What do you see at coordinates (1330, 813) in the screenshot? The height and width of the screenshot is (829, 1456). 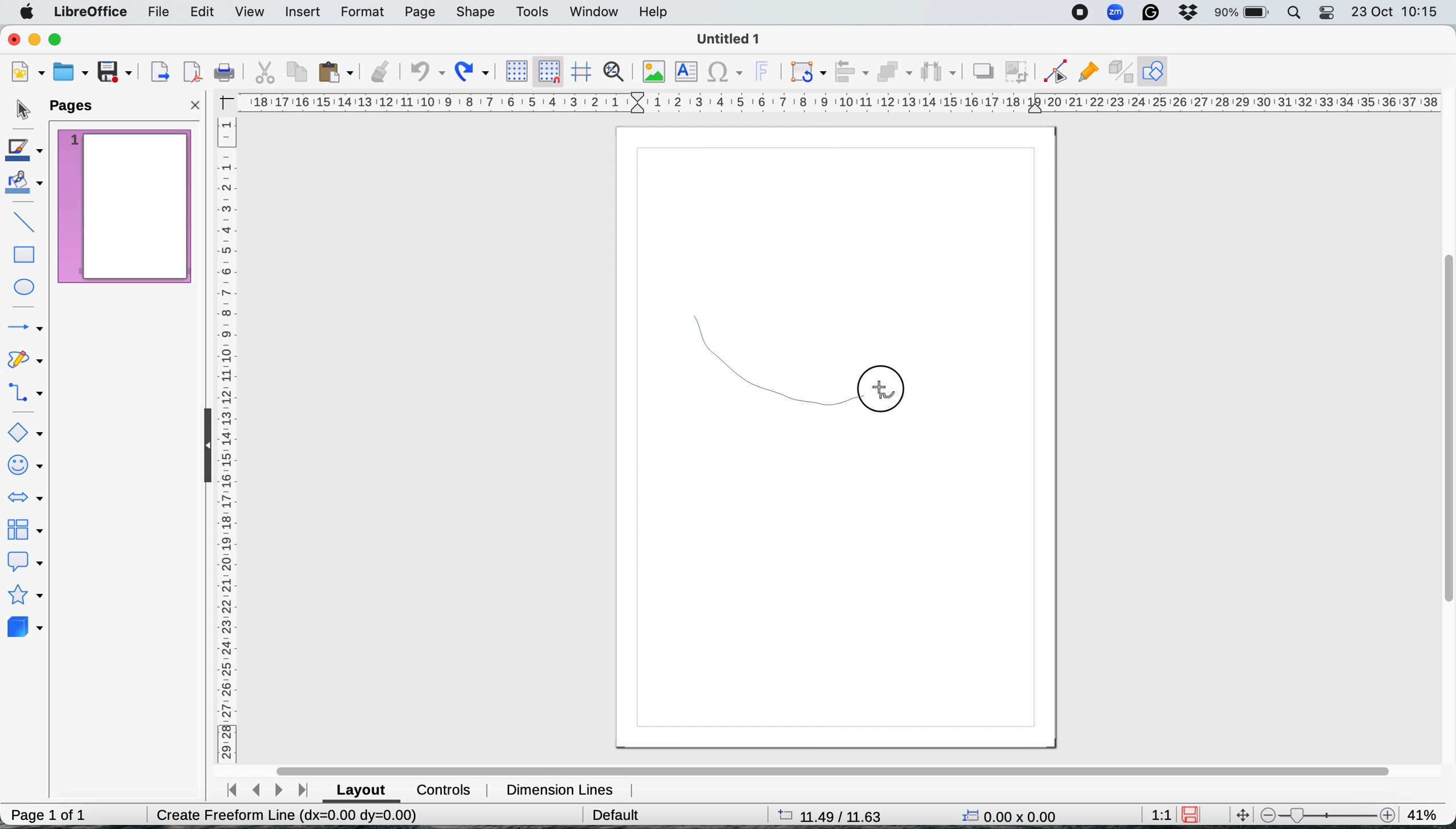 I see `zoom scale` at bounding box center [1330, 813].